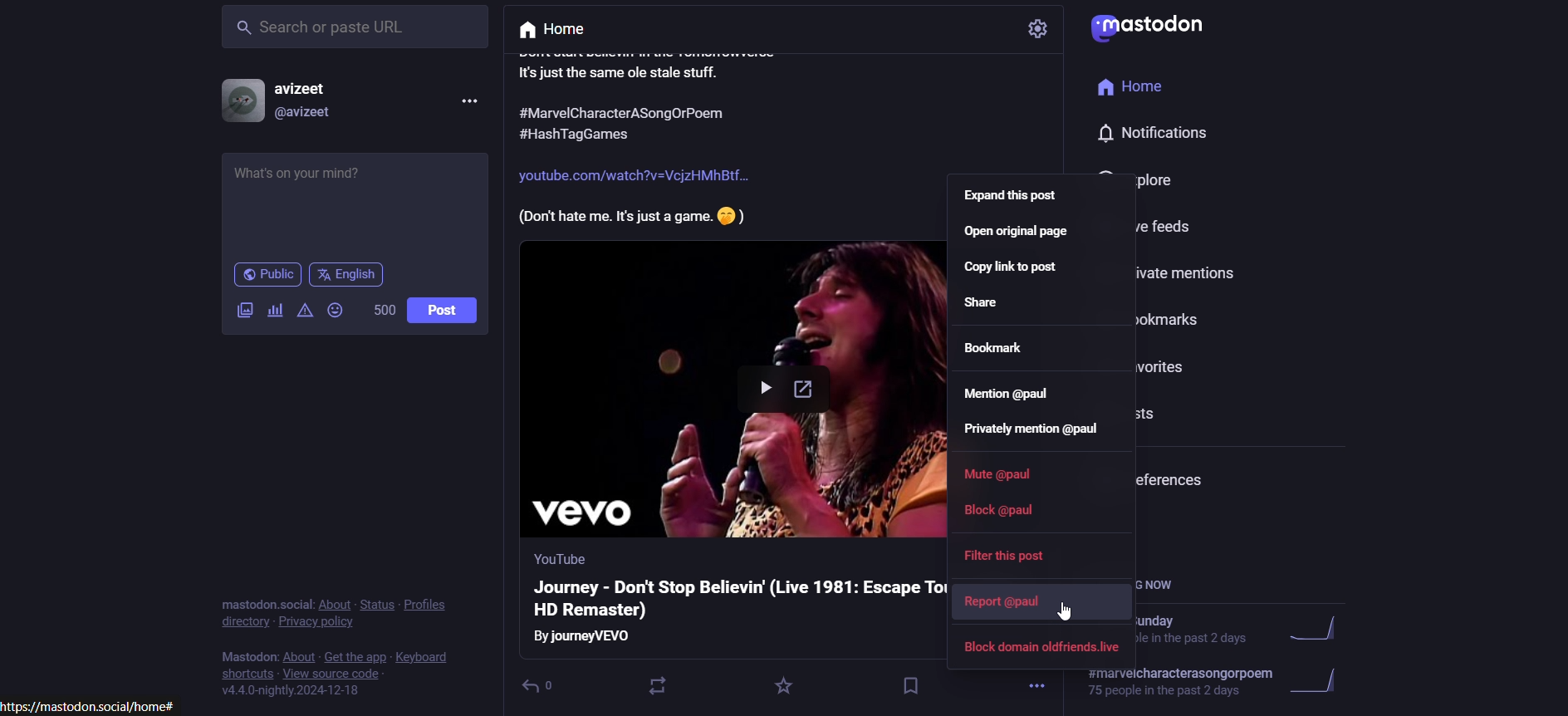 The height and width of the screenshot is (716, 1568). Describe the element at coordinates (586, 637) in the screenshot. I see `` at that location.